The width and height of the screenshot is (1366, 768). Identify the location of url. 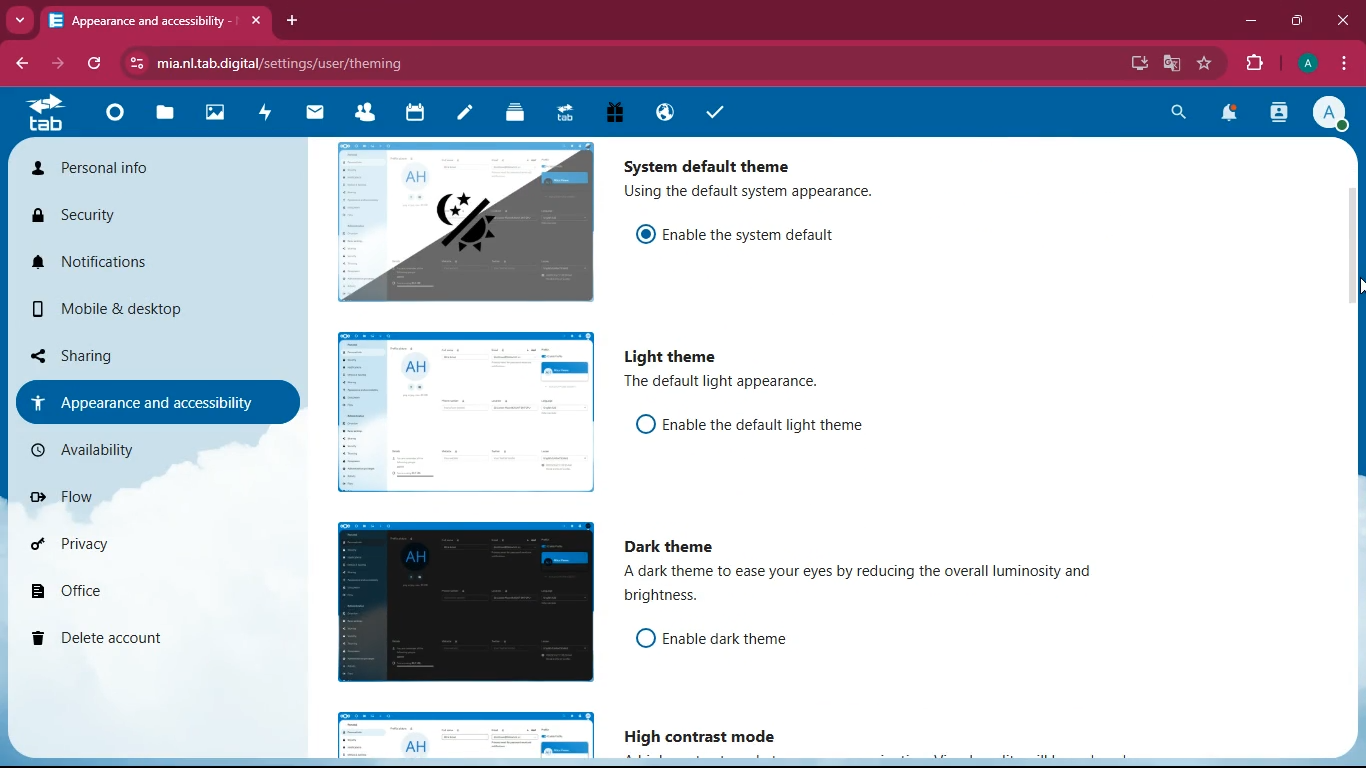
(288, 63).